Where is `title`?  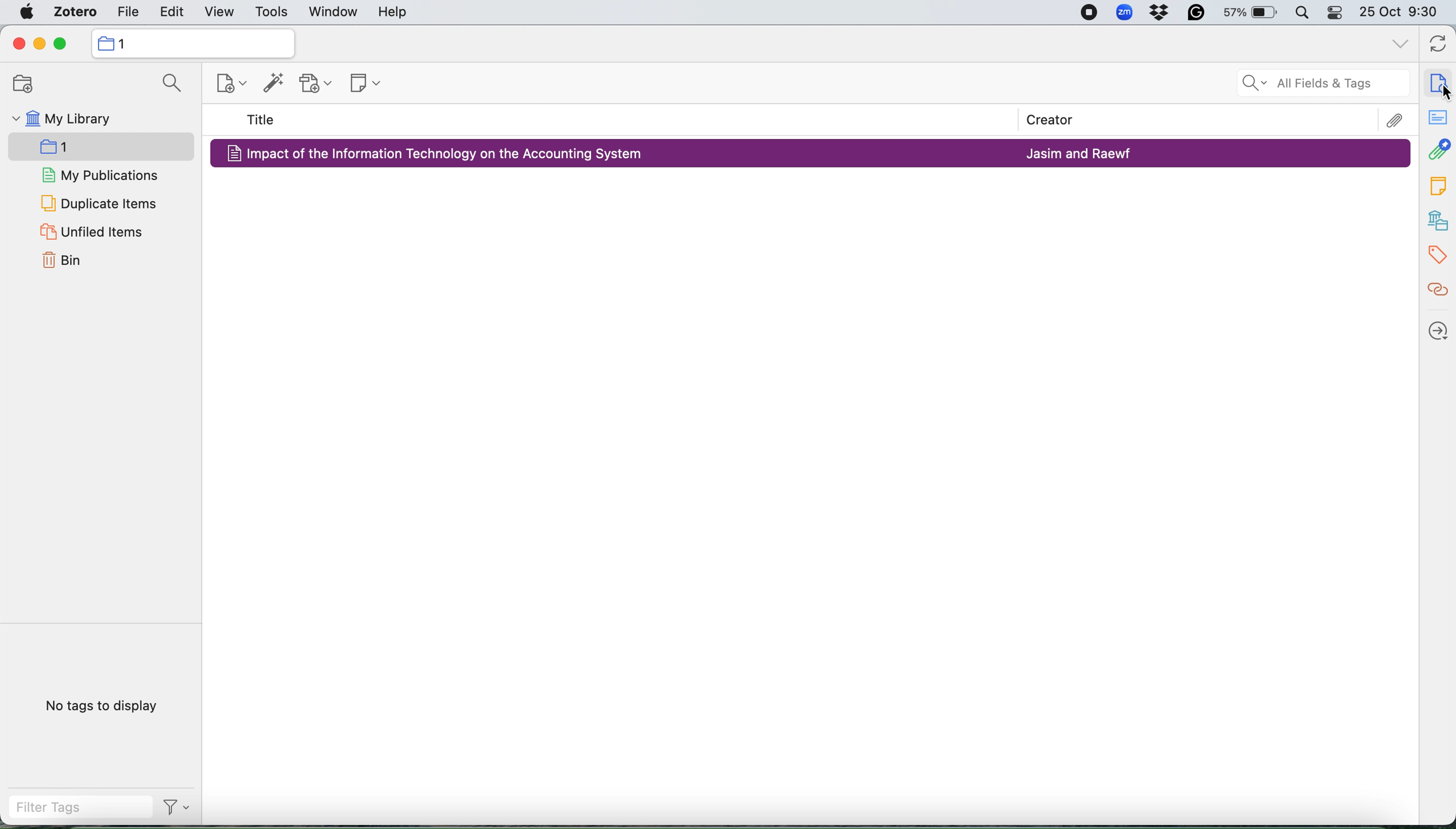
title is located at coordinates (263, 120).